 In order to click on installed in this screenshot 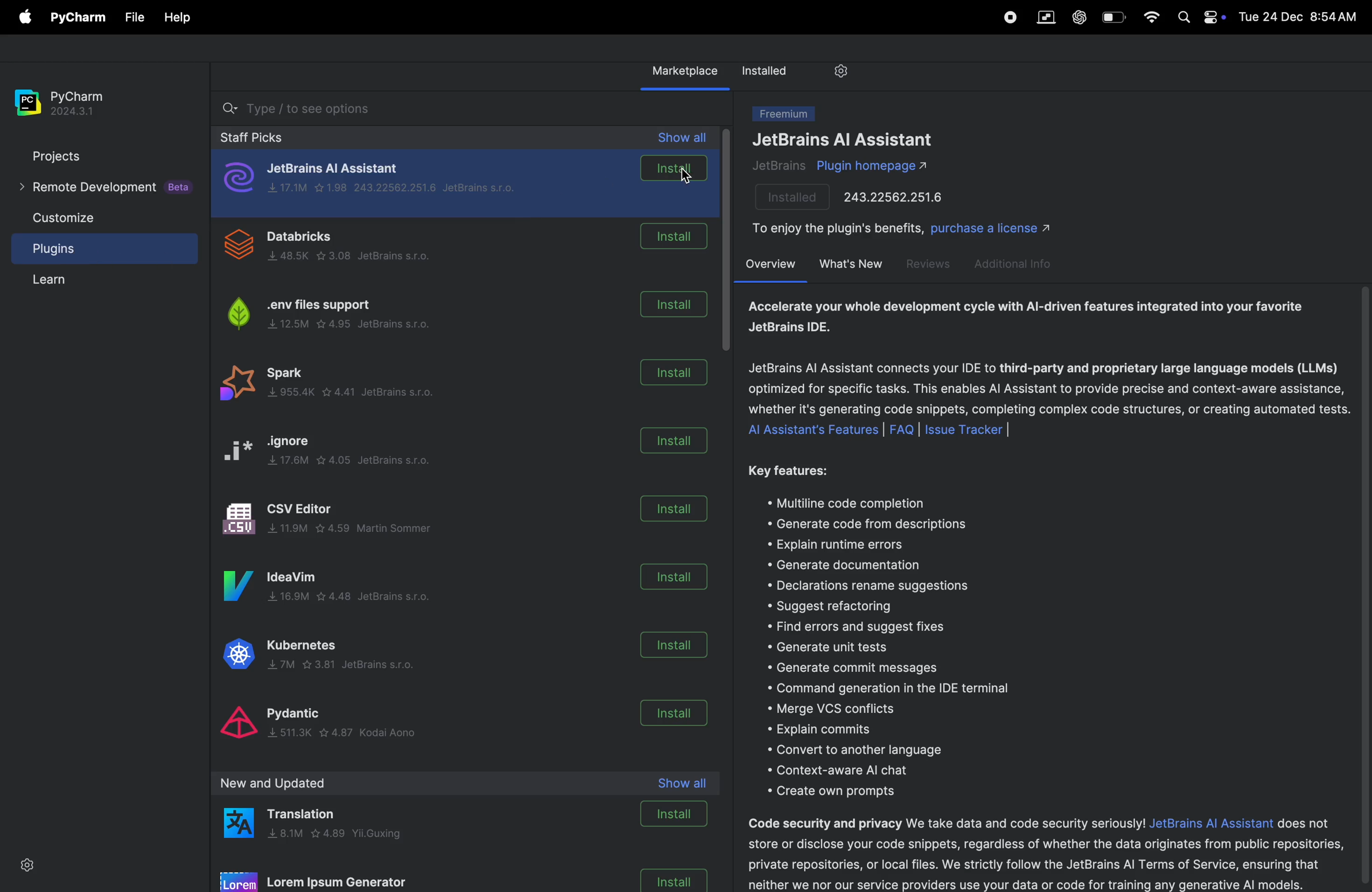, I will do `click(791, 195)`.